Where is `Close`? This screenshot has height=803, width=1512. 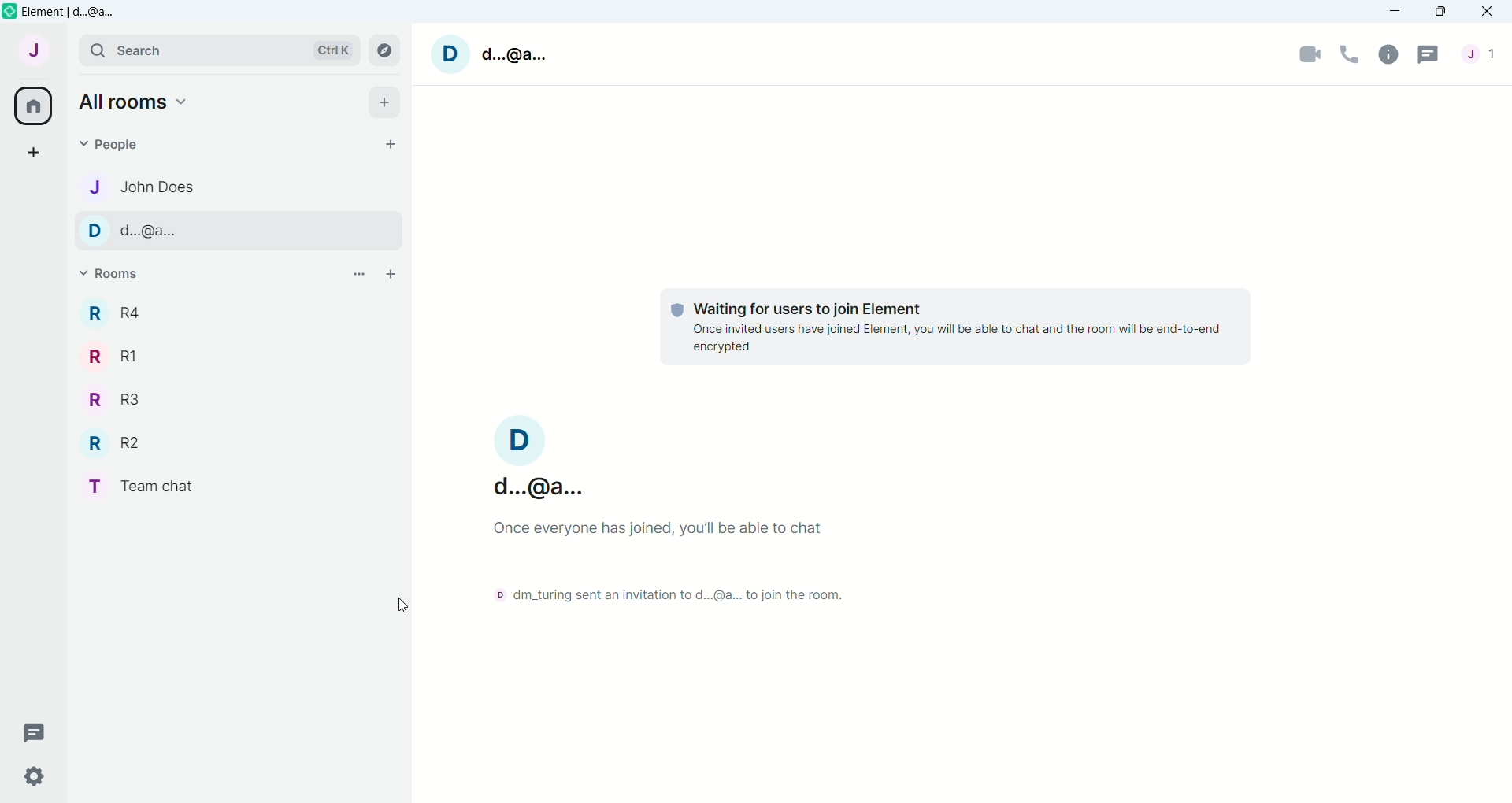 Close is located at coordinates (1488, 12).